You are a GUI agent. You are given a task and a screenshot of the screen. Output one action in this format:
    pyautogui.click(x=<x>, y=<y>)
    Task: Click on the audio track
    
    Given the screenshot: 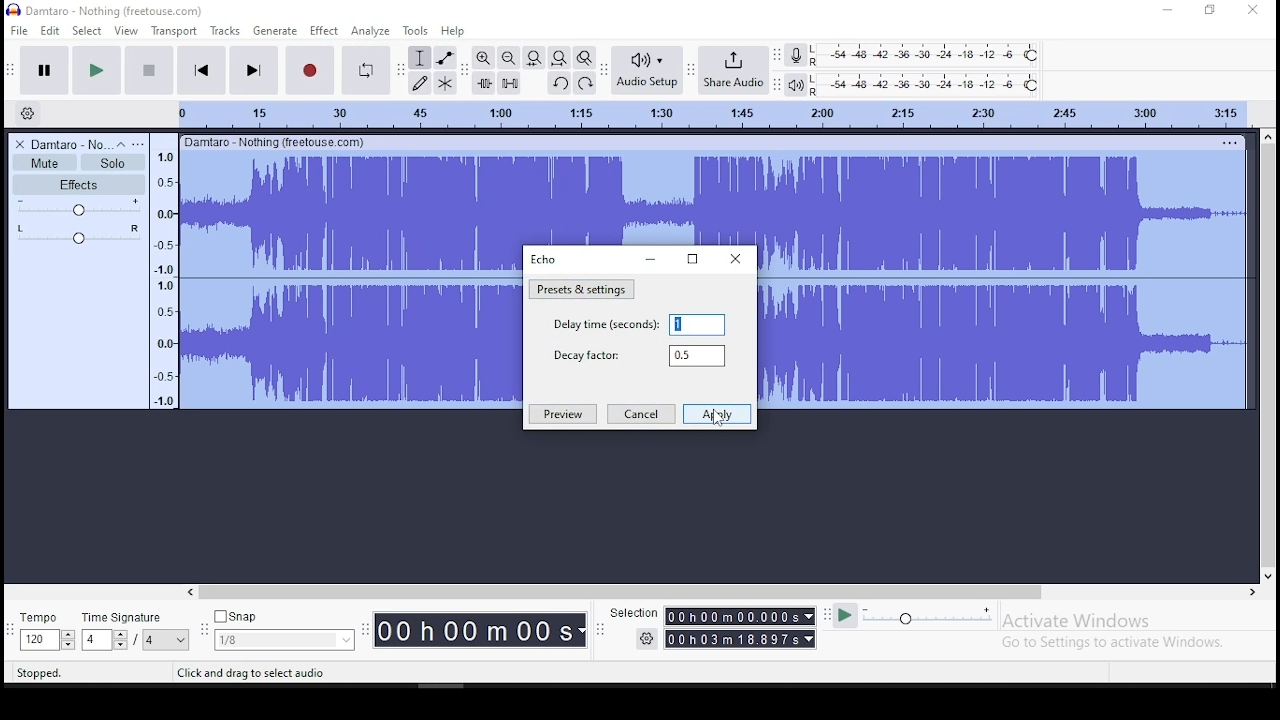 What is the action you would take?
    pyautogui.click(x=352, y=344)
    